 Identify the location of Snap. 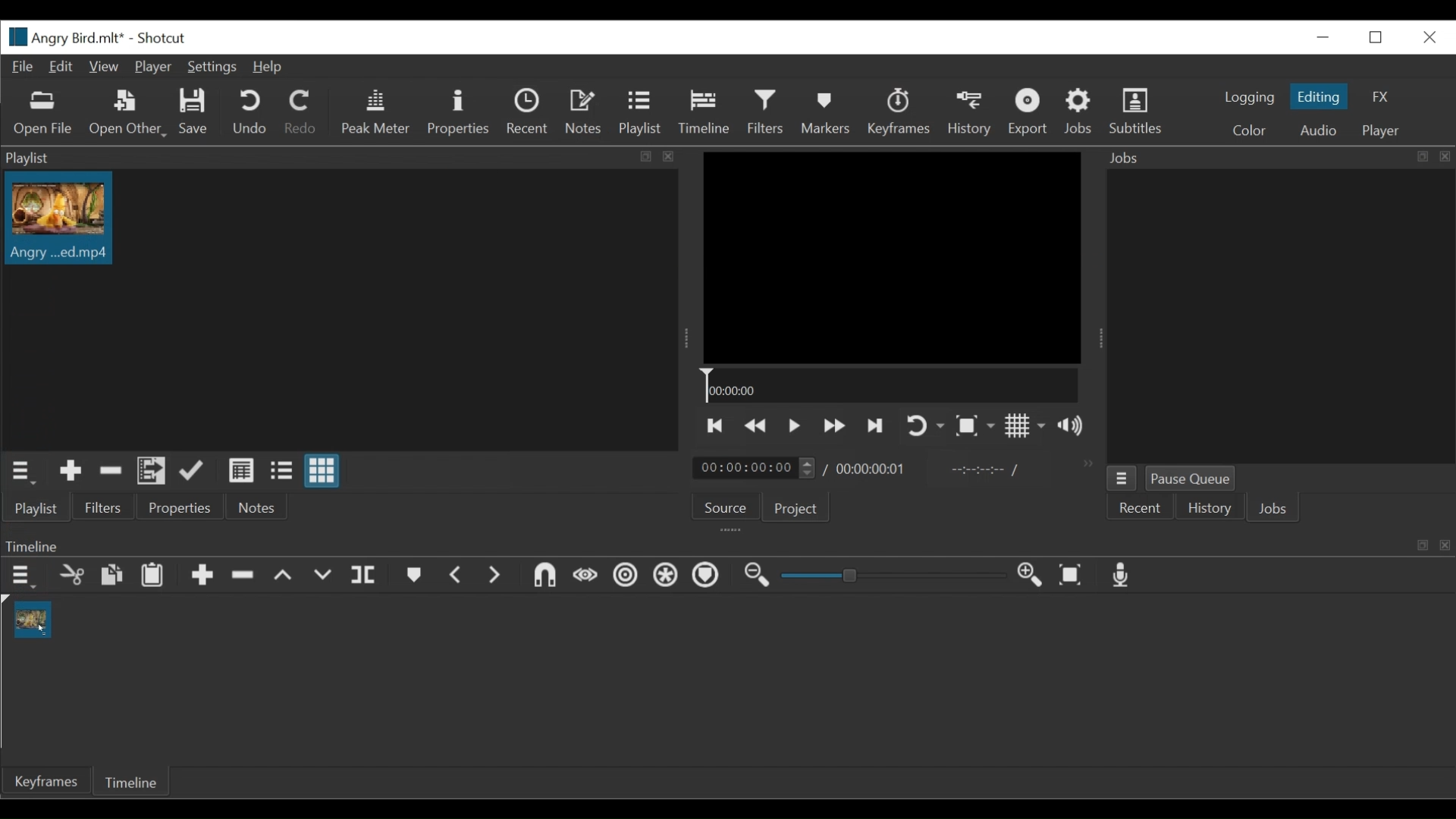
(543, 575).